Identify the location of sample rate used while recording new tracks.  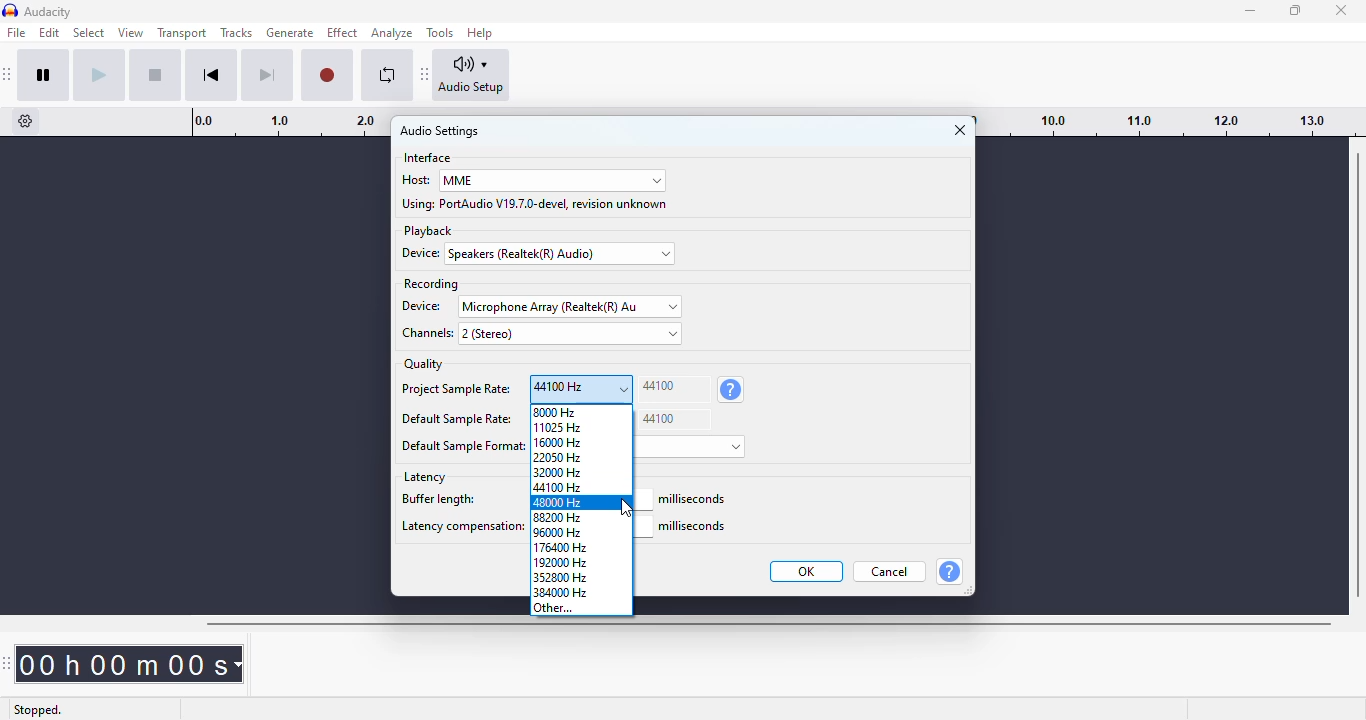
(730, 390).